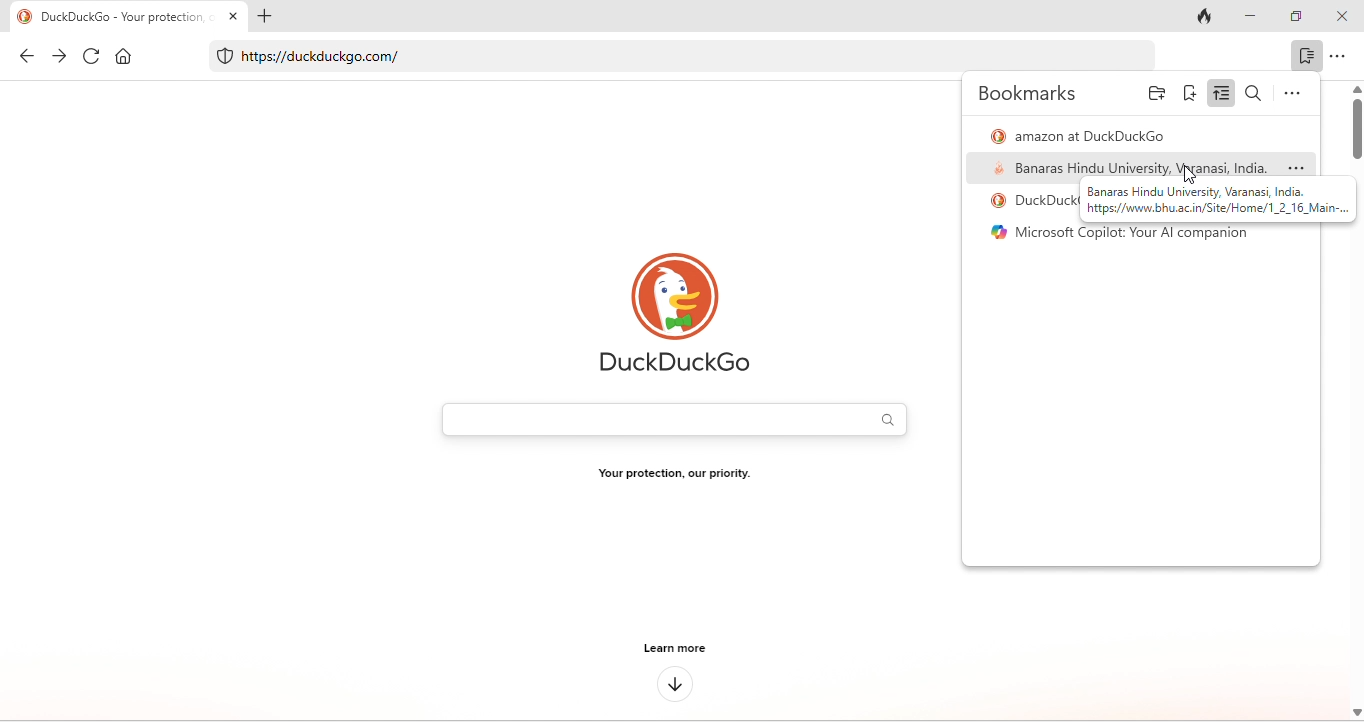 The width and height of the screenshot is (1364, 722). What do you see at coordinates (1188, 173) in the screenshot?
I see `cursor movement` at bounding box center [1188, 173].